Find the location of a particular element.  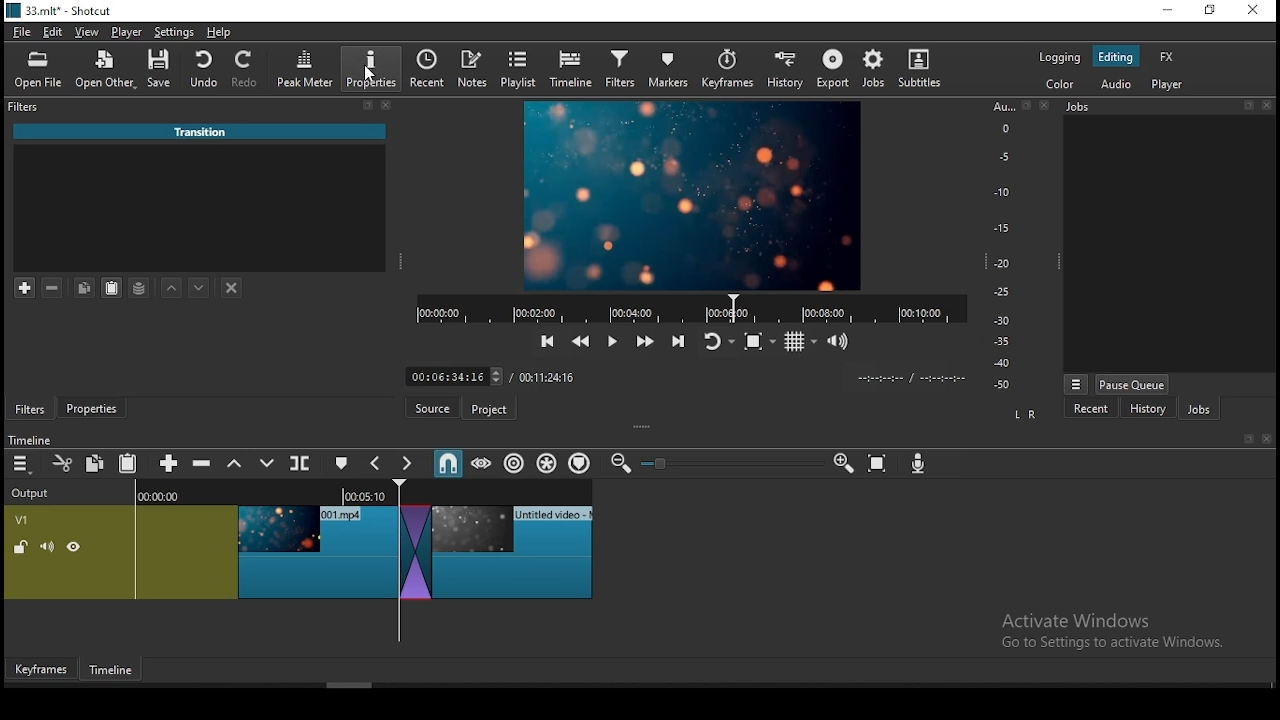

split at playhead is located at coordinates (433, 71).